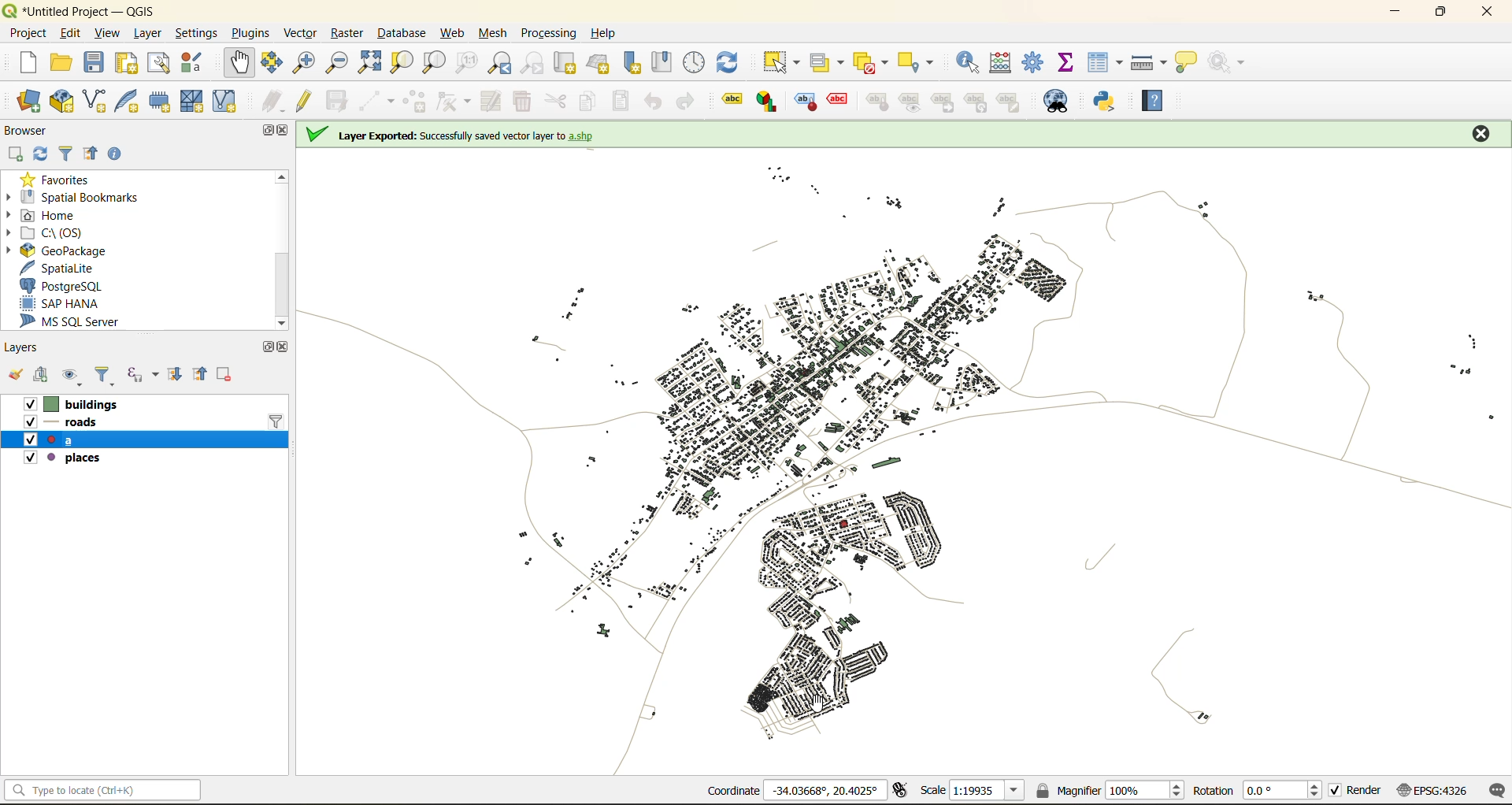 Image resolution: width=1512 pixels, height=805 pixels. Describe the element at coordinates (272, 99) in the screenshot. I see `edits` at that location.